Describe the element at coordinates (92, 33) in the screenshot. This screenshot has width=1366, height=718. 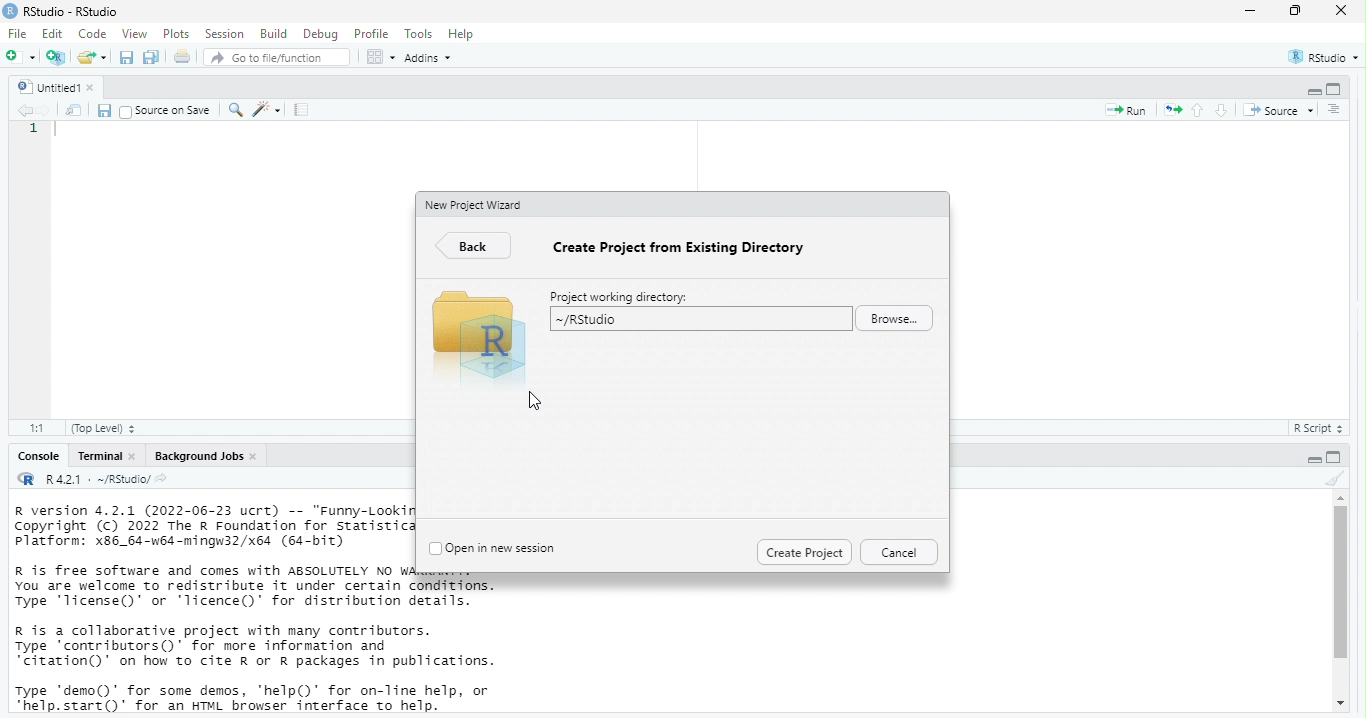
I see `code` at that location.